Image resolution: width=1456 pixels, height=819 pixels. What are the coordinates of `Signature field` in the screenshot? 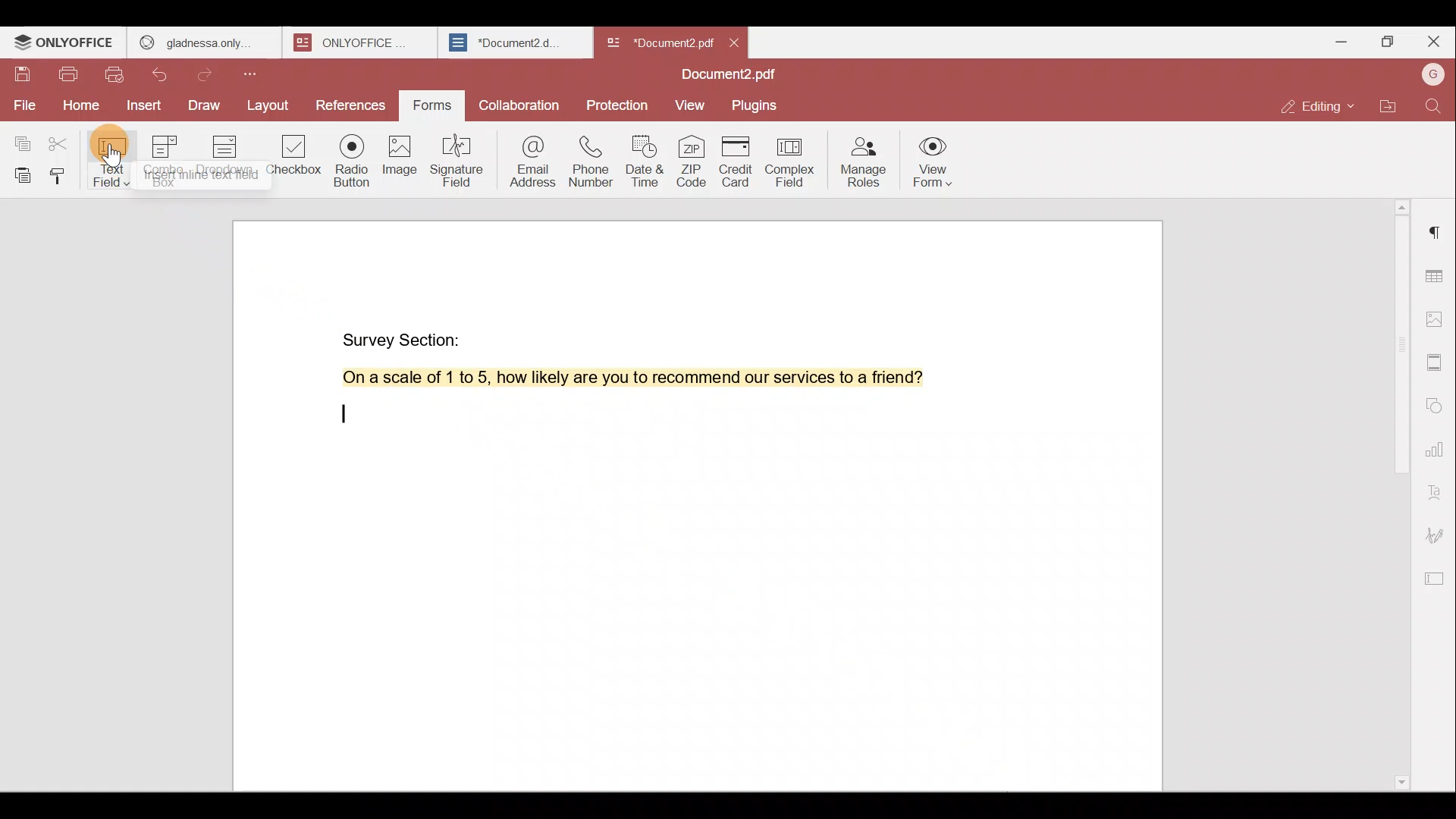 It's located at (454, 160).